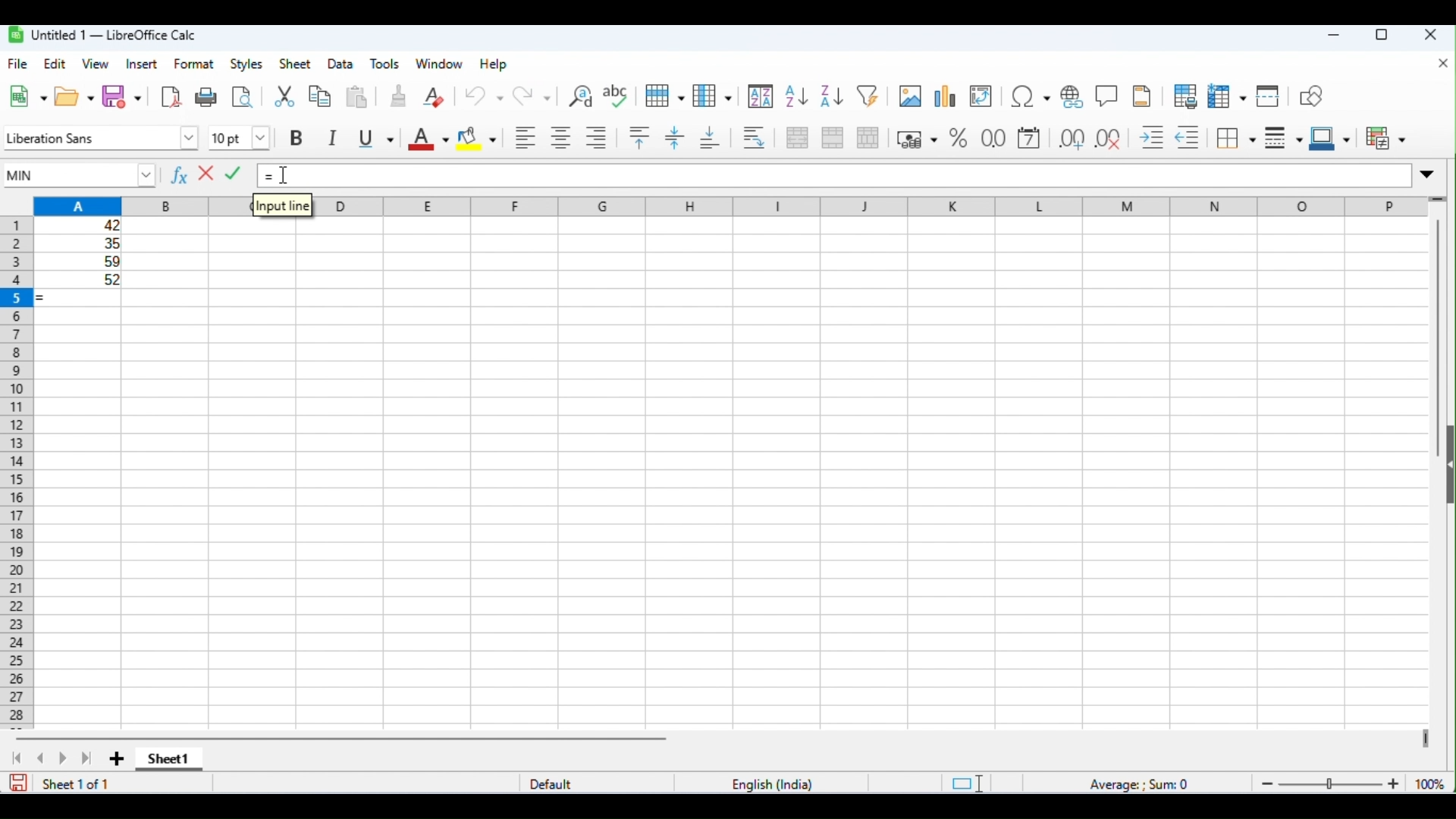 This screenshot has height=819, width=1456. Describe the element at coordinates (1429, 173) in the screenshot. I see `expand` at that location.